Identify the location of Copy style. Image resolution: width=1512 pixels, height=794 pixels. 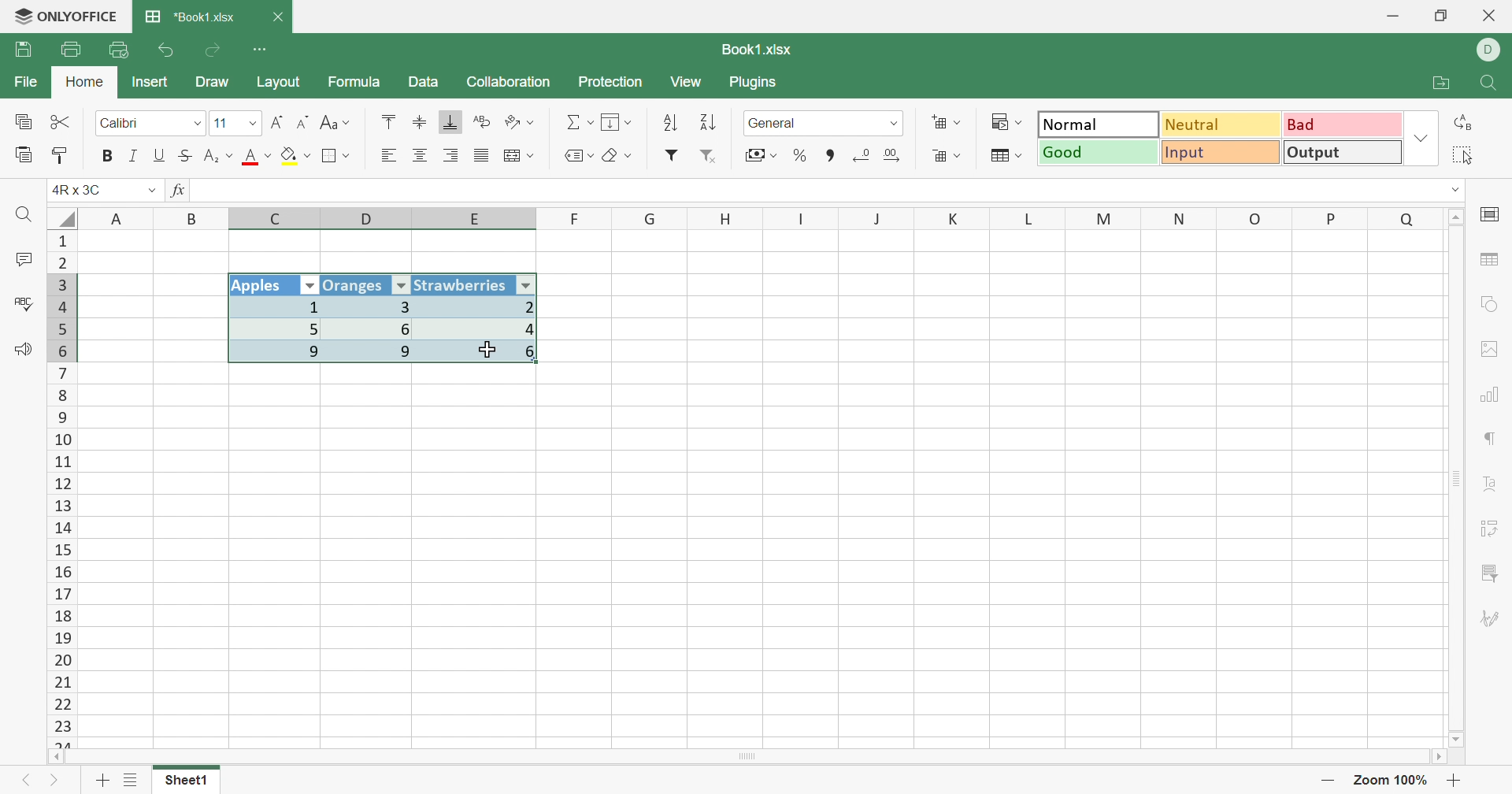
(62, 154).